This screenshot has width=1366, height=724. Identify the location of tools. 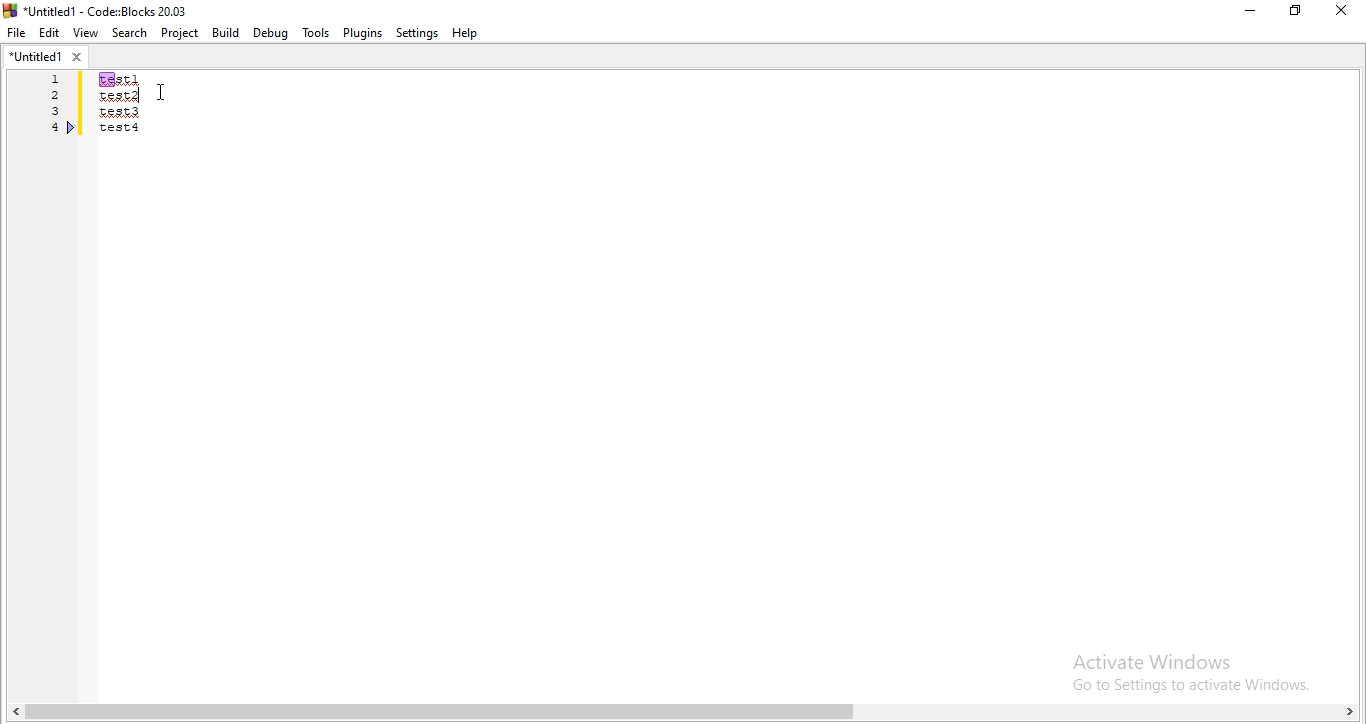
(314, 33).